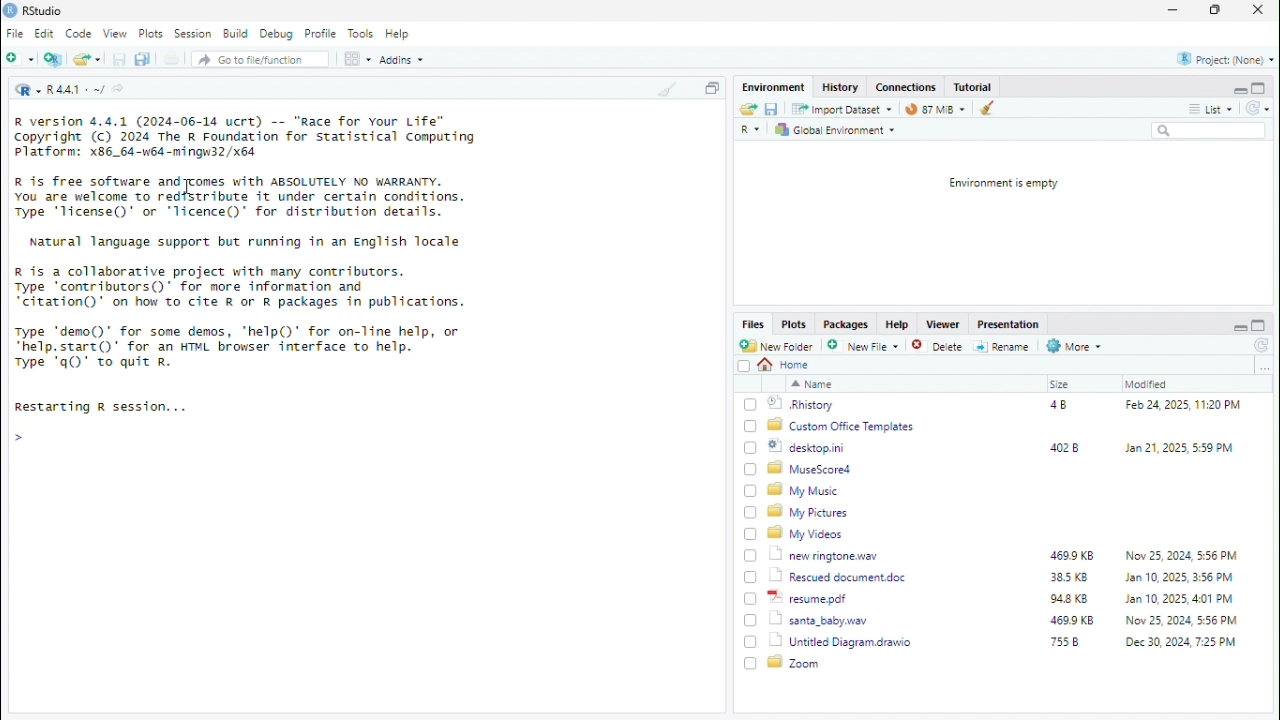 Image resolution: width=1280 pixels, height=720 pixels. What do you see at coordinates (751, 663) in the screenshot?
I see `Checkbox` at bounding box center [751, 663].